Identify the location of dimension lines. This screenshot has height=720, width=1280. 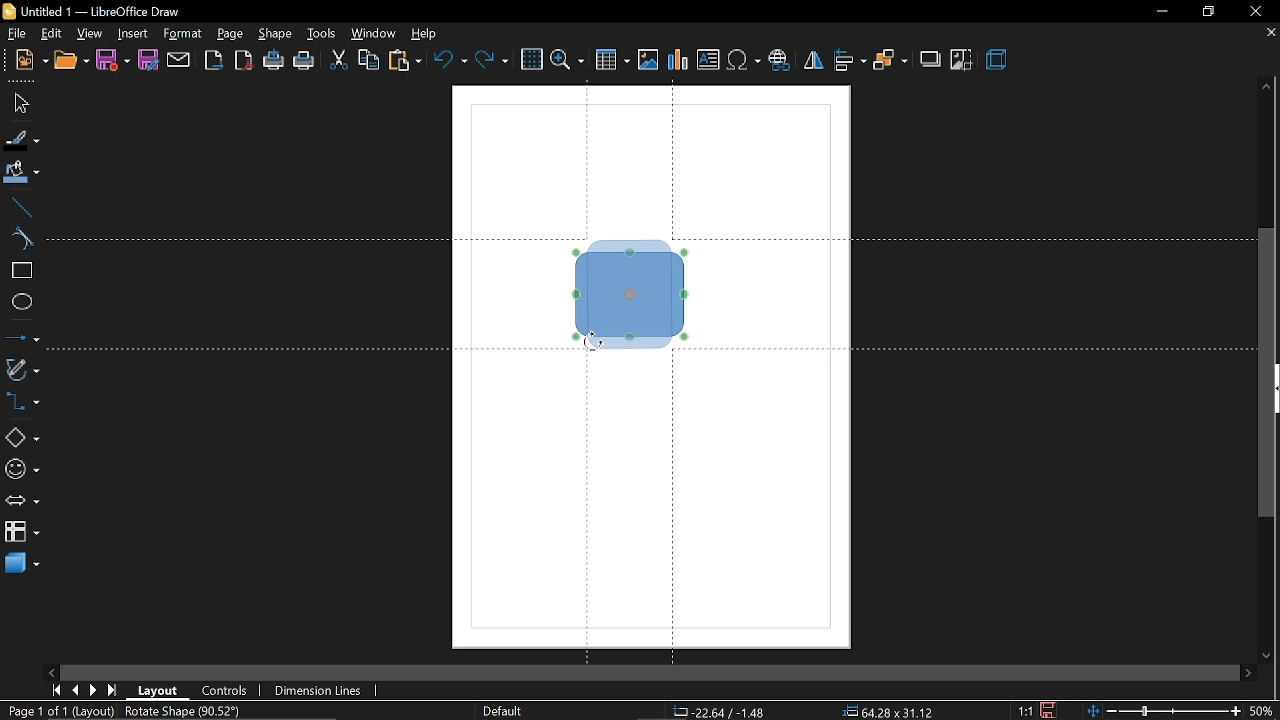
(321, 691).